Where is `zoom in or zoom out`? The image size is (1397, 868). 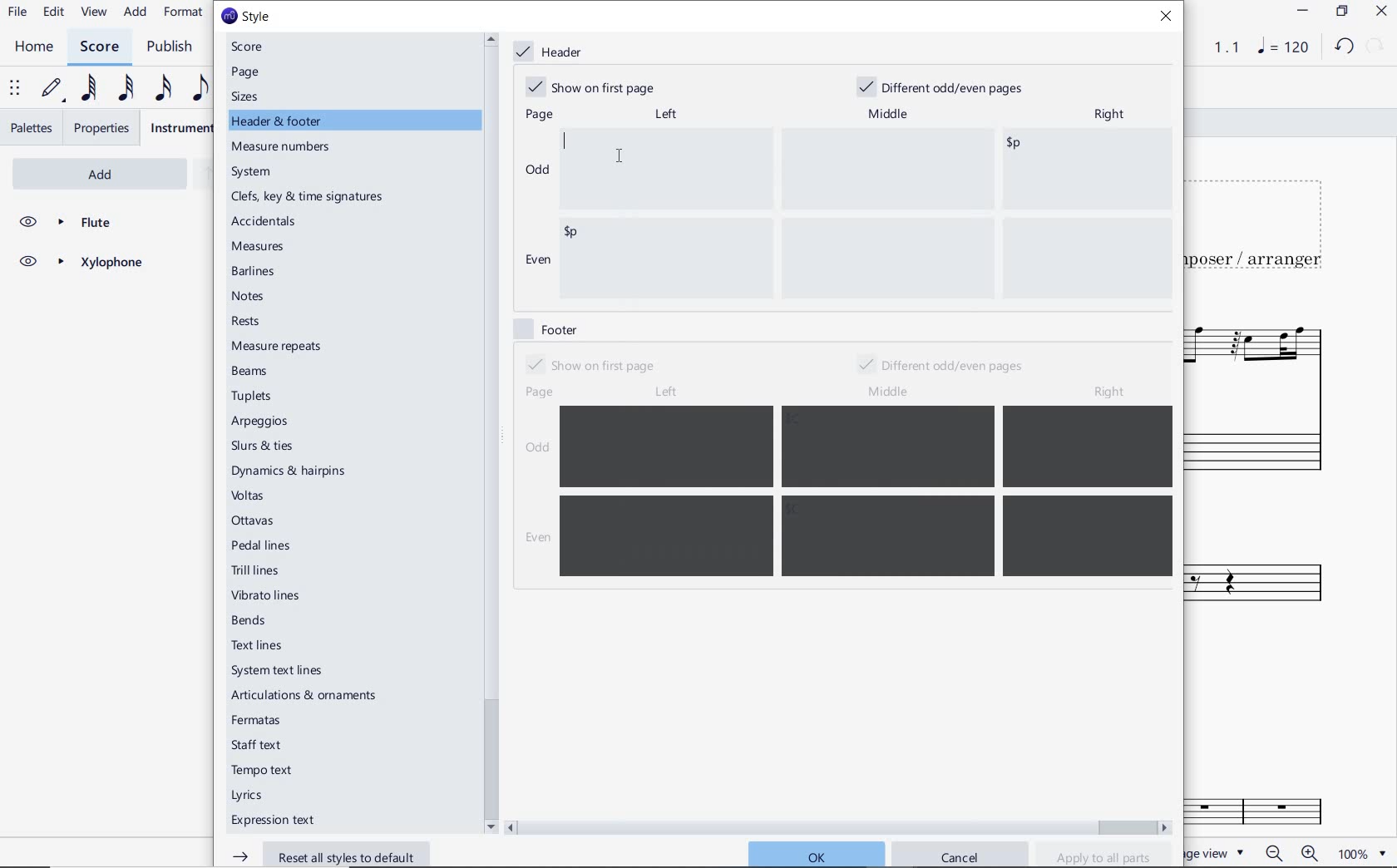
zoom in or zoom out is located at coordinates (1290, 852).